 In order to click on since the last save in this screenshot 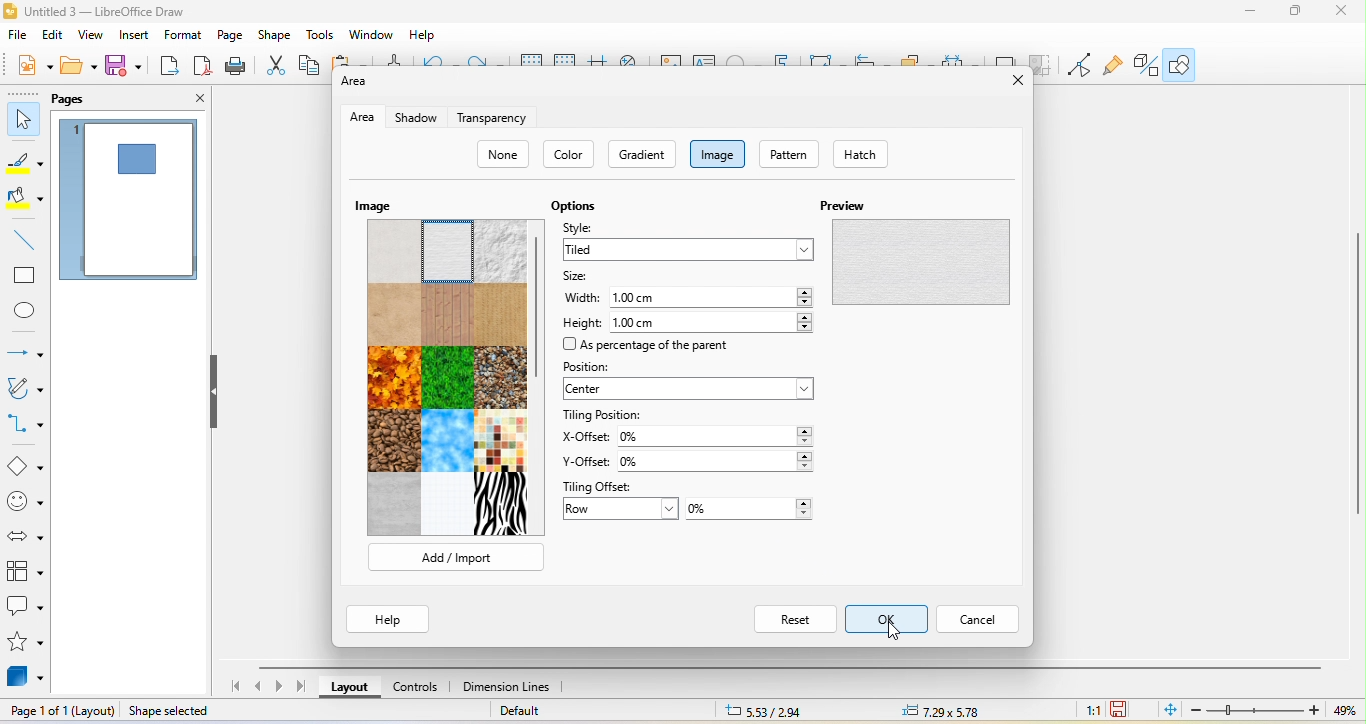, I will do `click(1124, 711)`.